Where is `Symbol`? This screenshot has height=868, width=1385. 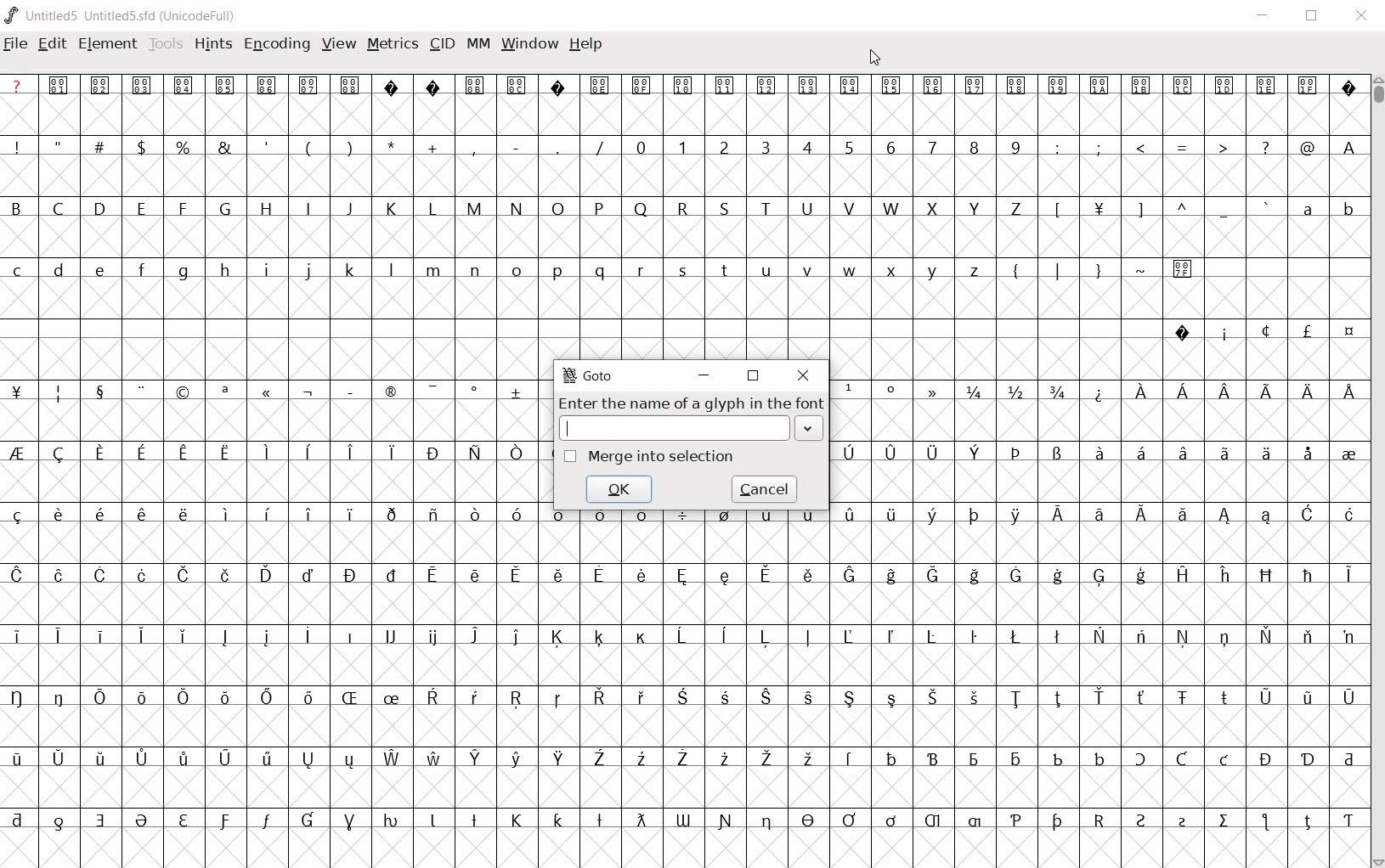
Symbol is located at coordinates (1308, 637).